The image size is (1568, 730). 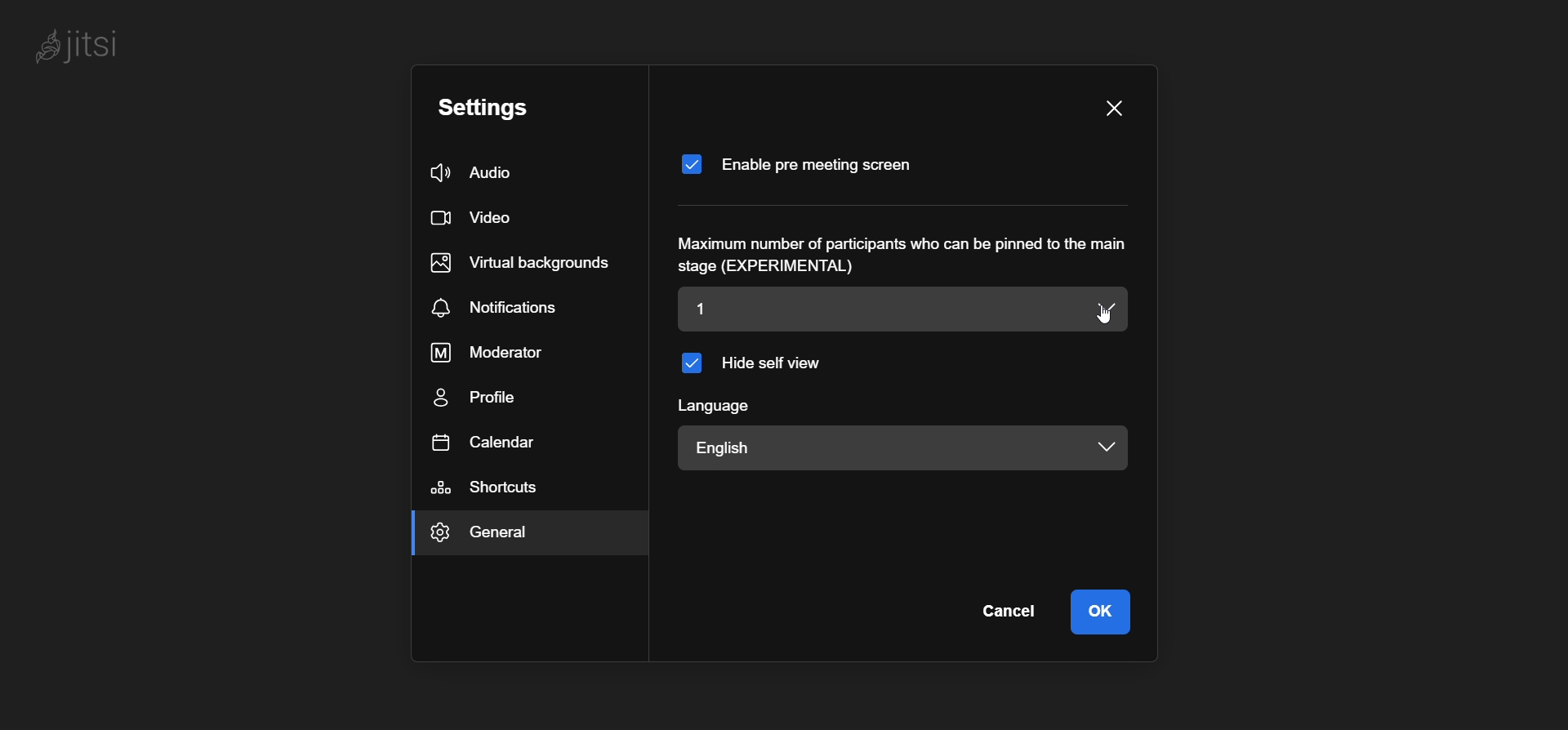 I want to click on jitsi, so click(x=72, y=46).